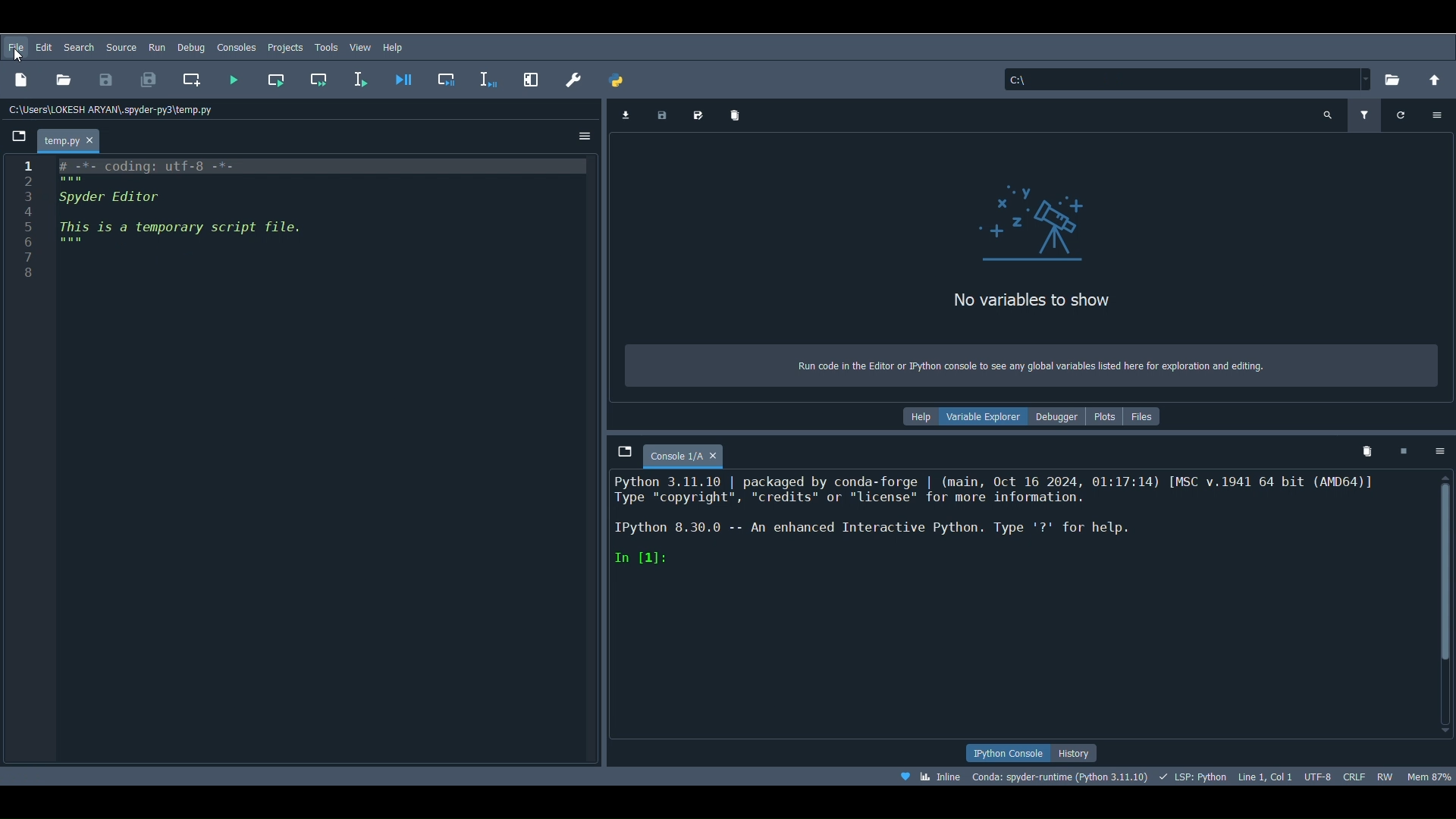  I want to click on File permissions, so click(1386, 774).